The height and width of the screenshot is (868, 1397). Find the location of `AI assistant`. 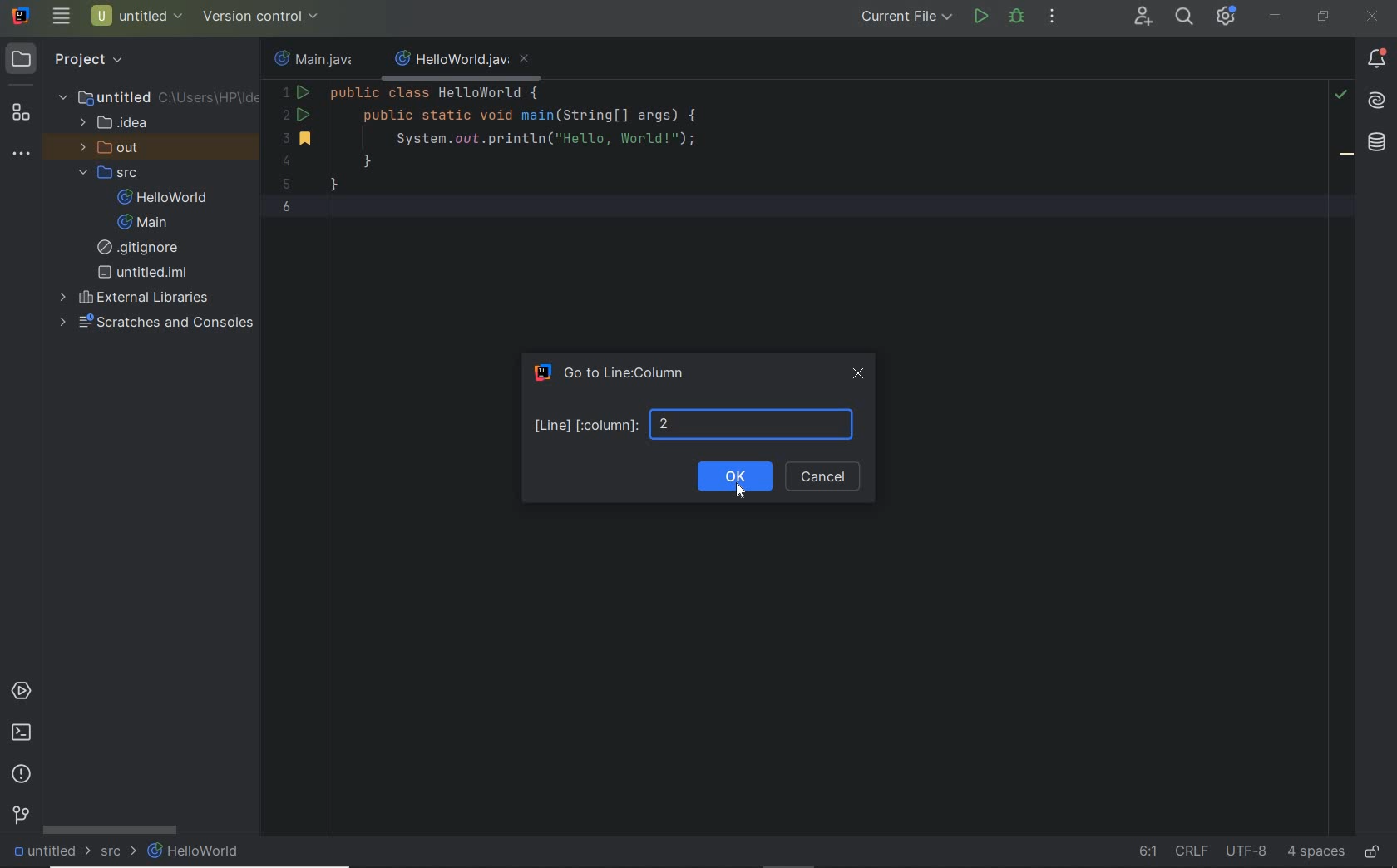

AI assistant is located at coordinates (1375, 101).